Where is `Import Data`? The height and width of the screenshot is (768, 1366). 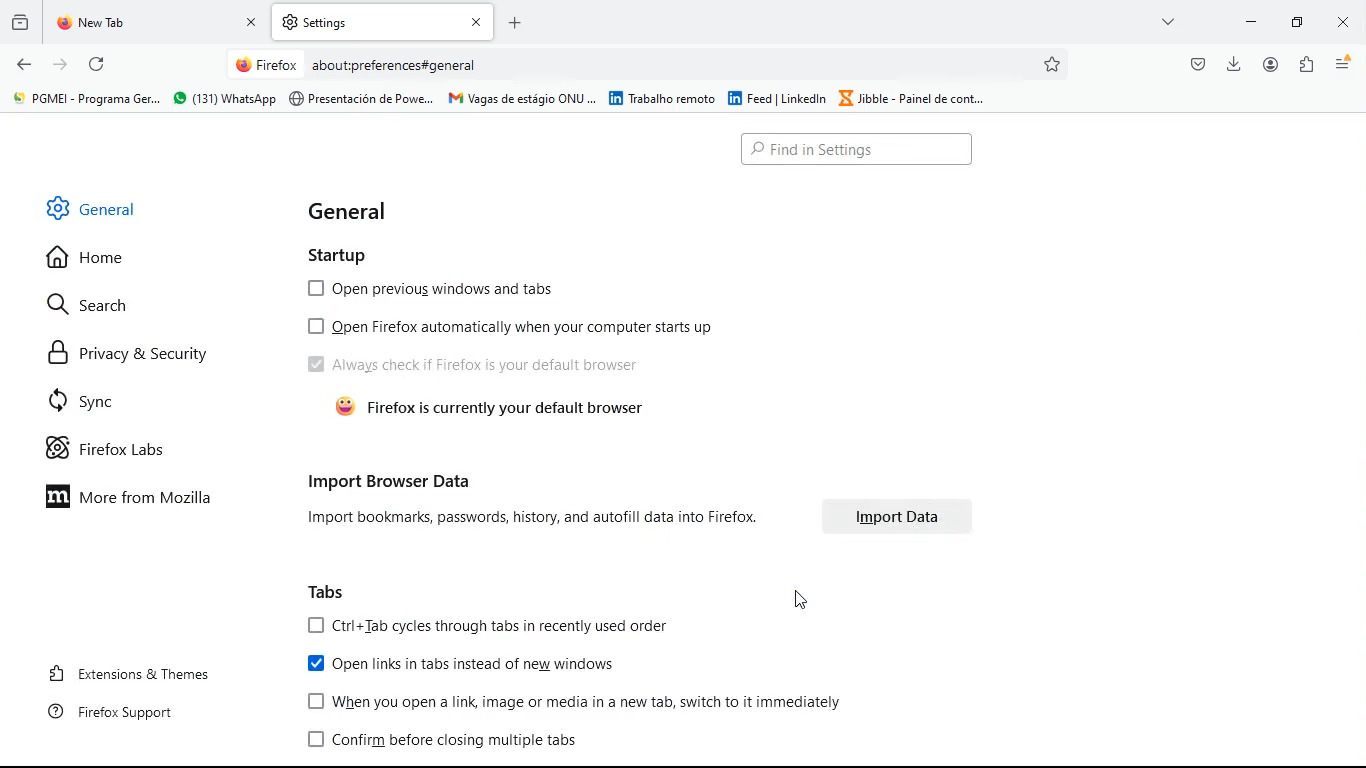
Import Data is located at coordinates (897, 517).